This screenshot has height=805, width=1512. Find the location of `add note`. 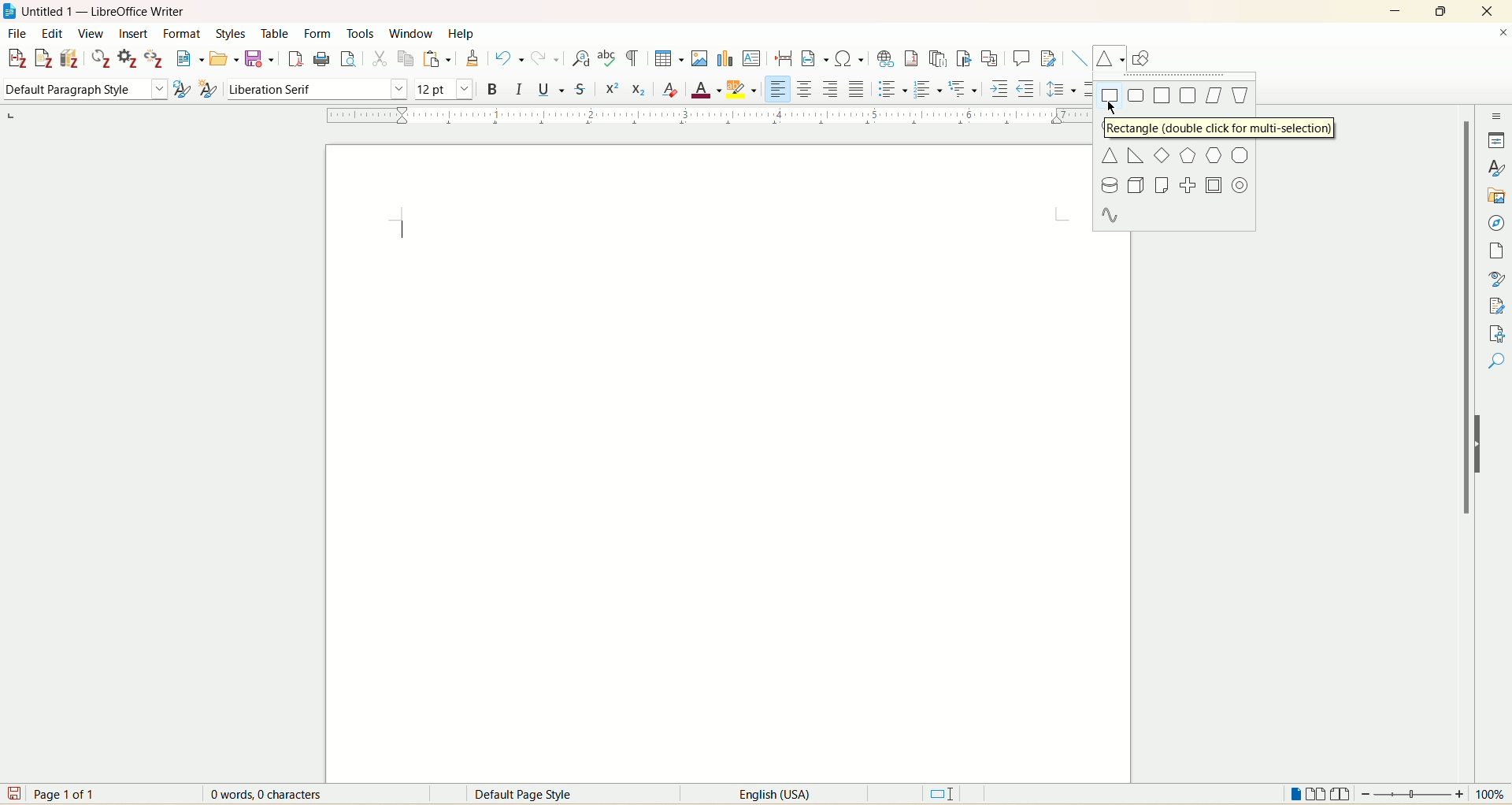

add note is located at coordinates (43, 59).